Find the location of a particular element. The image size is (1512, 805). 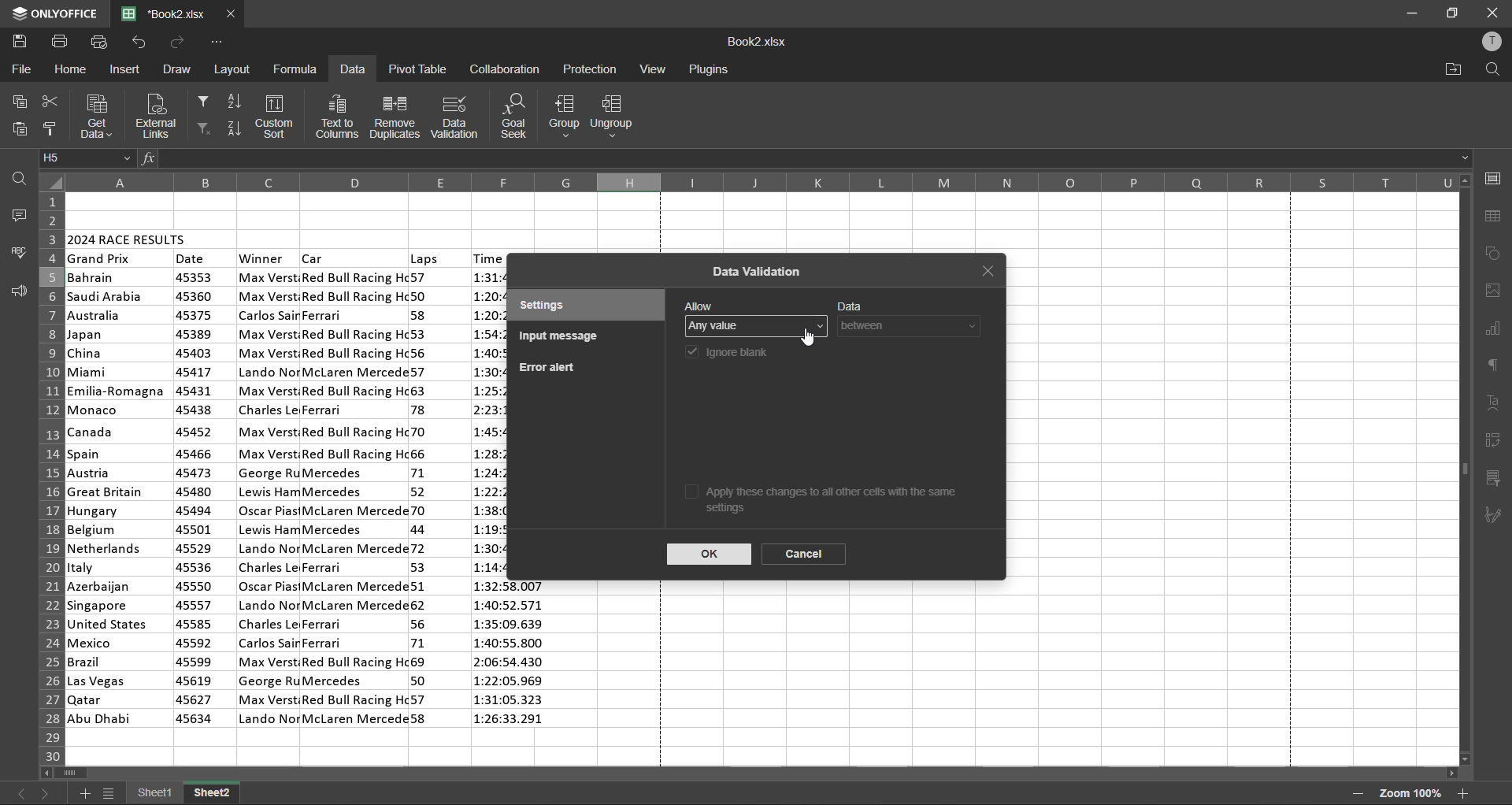

data validation is located at coordinates (759, 273).